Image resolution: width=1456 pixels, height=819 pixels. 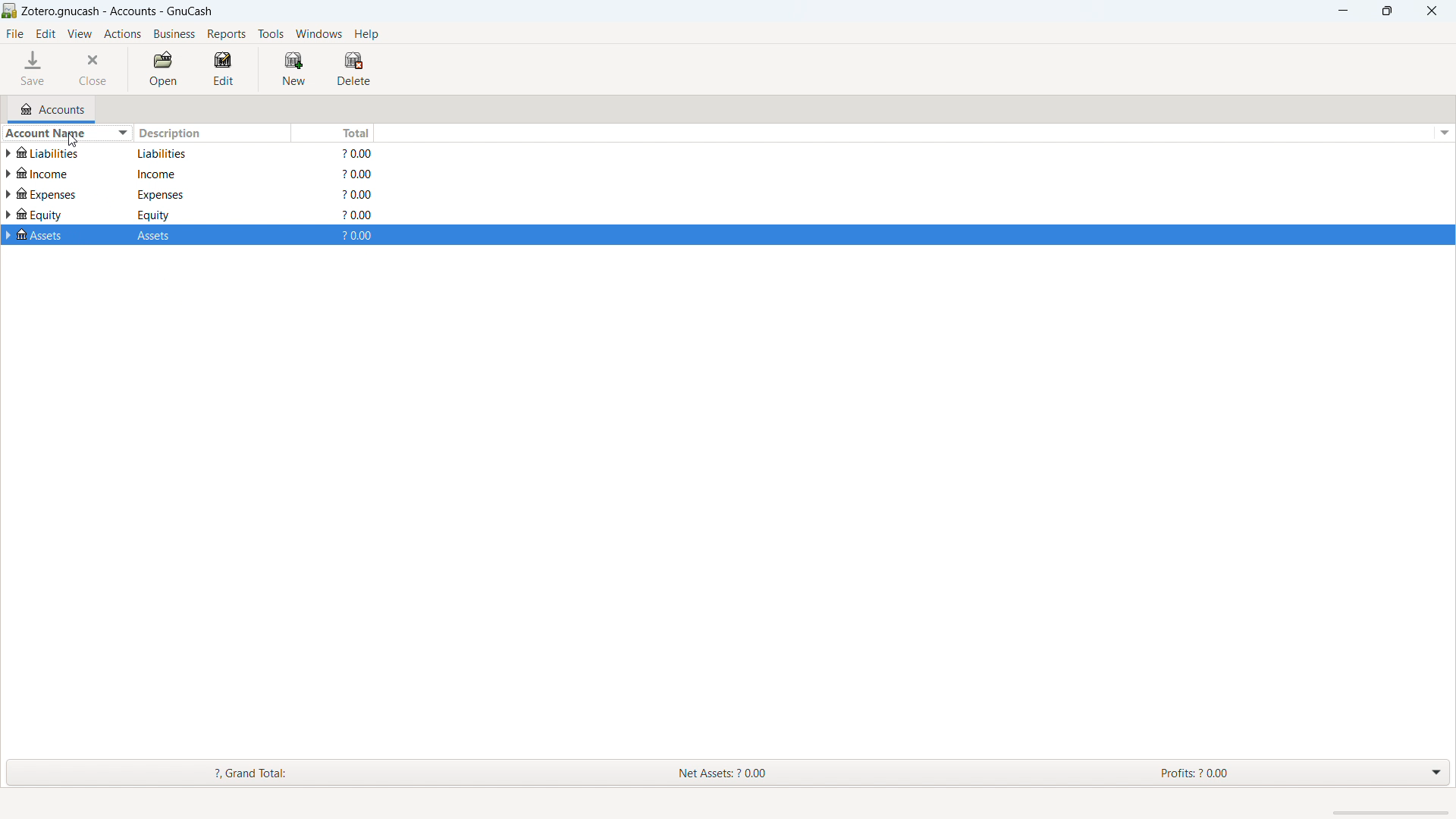 What do you see at coordinates (224, 69) in the screenshot?
I see `edit` at bounding box center [224, 69].